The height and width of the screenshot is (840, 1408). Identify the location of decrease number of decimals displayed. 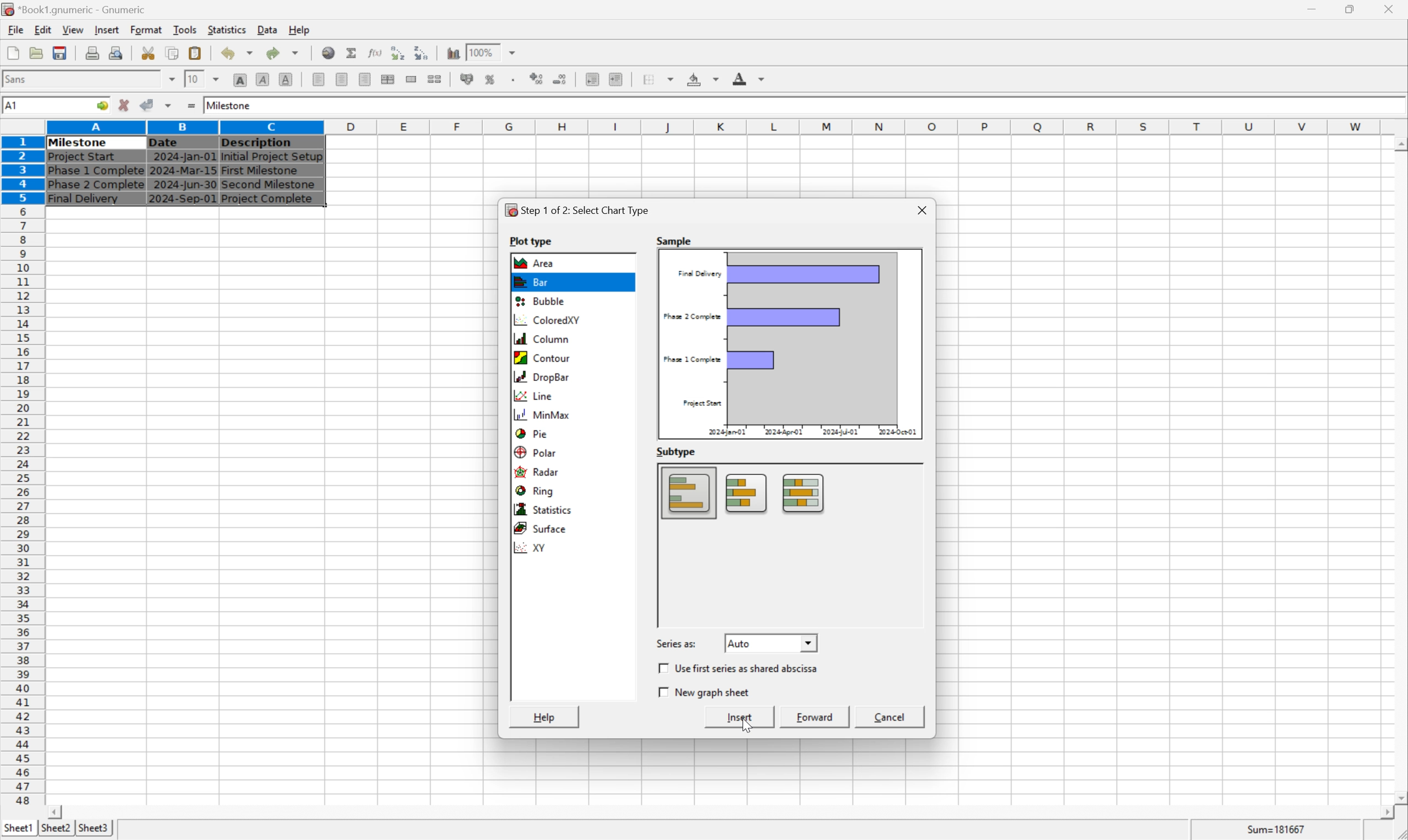
(562, 80).